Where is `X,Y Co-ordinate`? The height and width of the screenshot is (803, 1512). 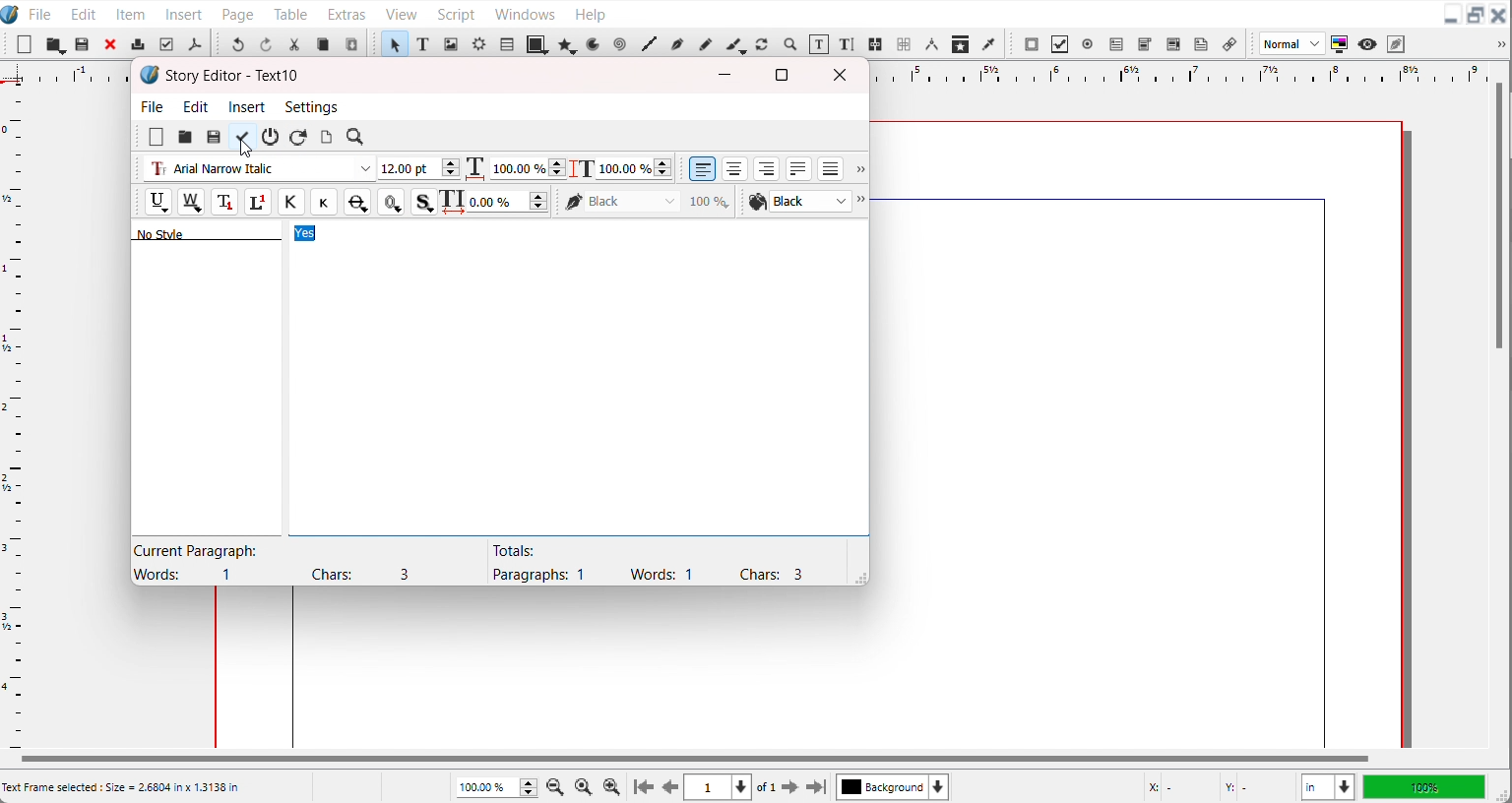 X,Y Co-ordinate is located at coordinates (1216, 786).